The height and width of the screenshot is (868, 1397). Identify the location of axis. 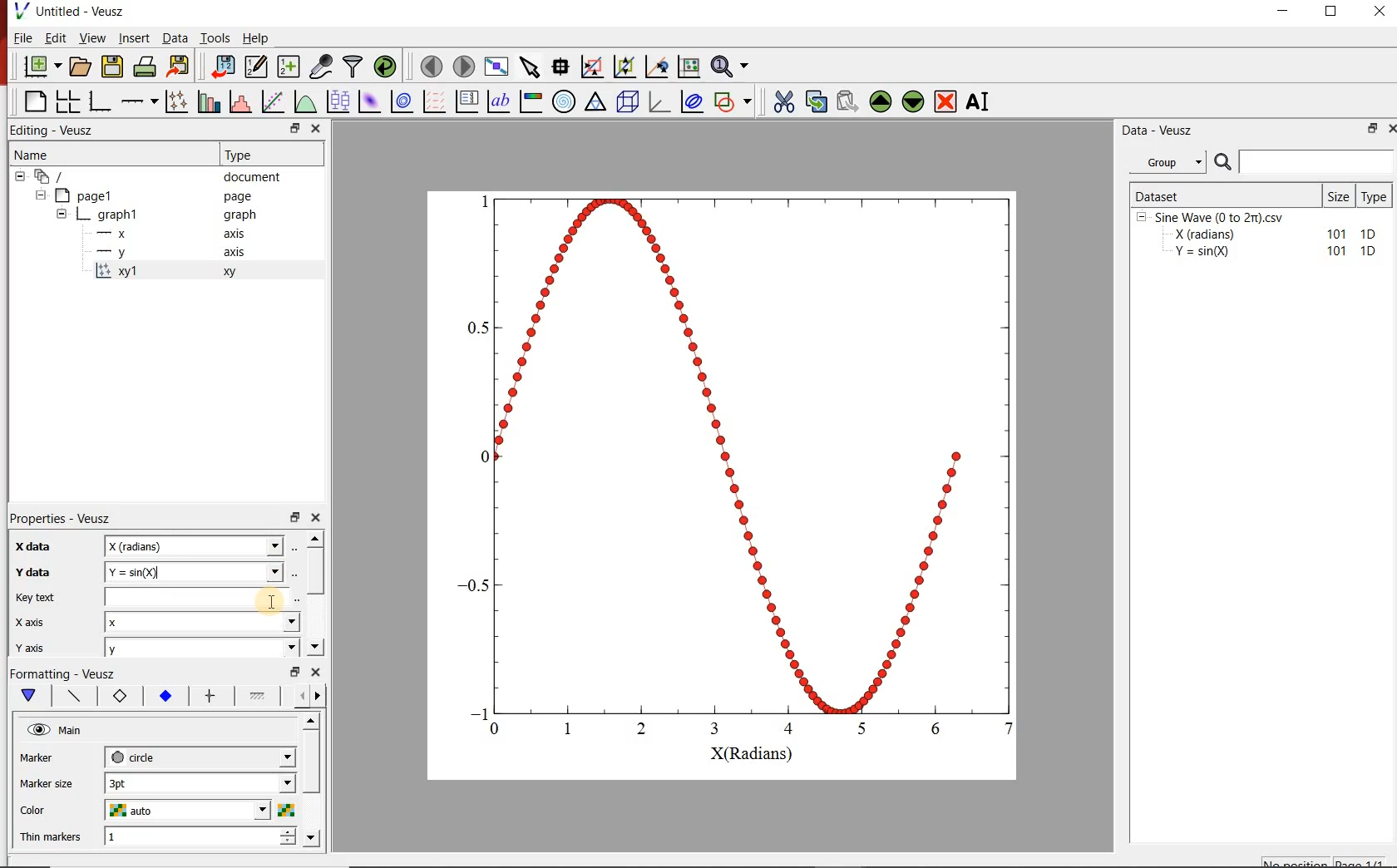
(233, 251).